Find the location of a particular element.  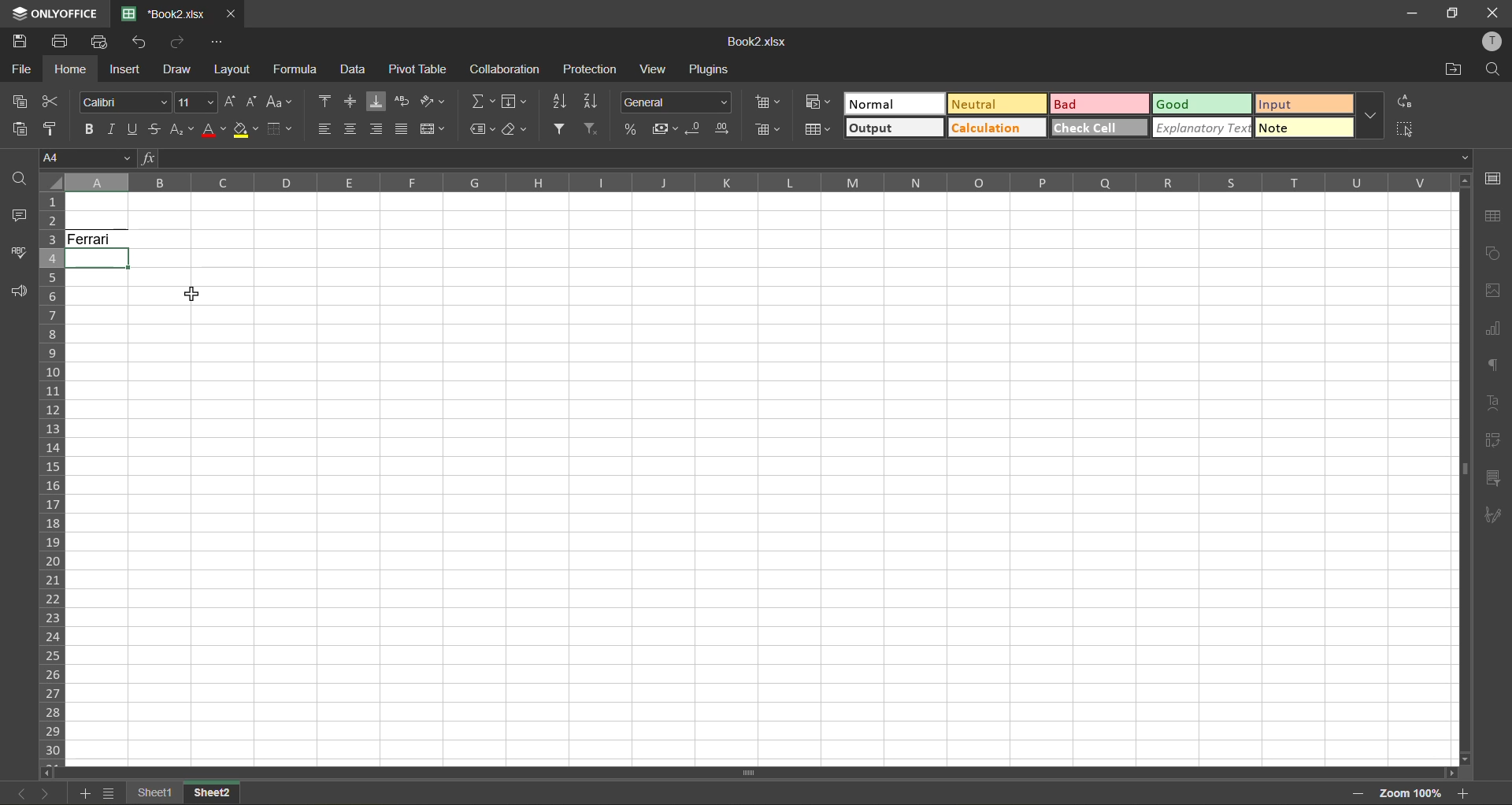

align middle is located at coordinates (351, 101).